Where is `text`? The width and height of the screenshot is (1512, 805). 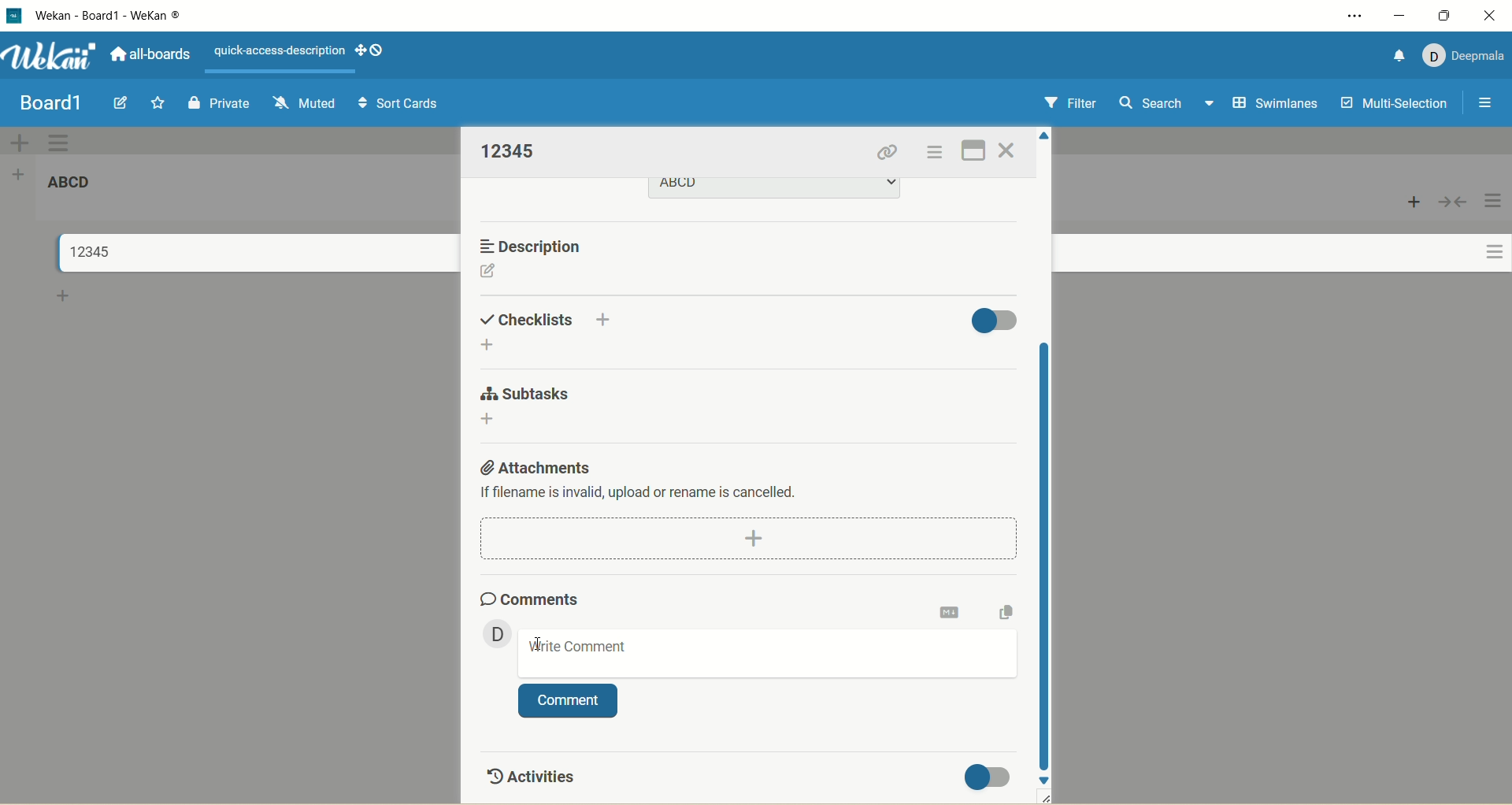 text is located at coordinates (641, 494).